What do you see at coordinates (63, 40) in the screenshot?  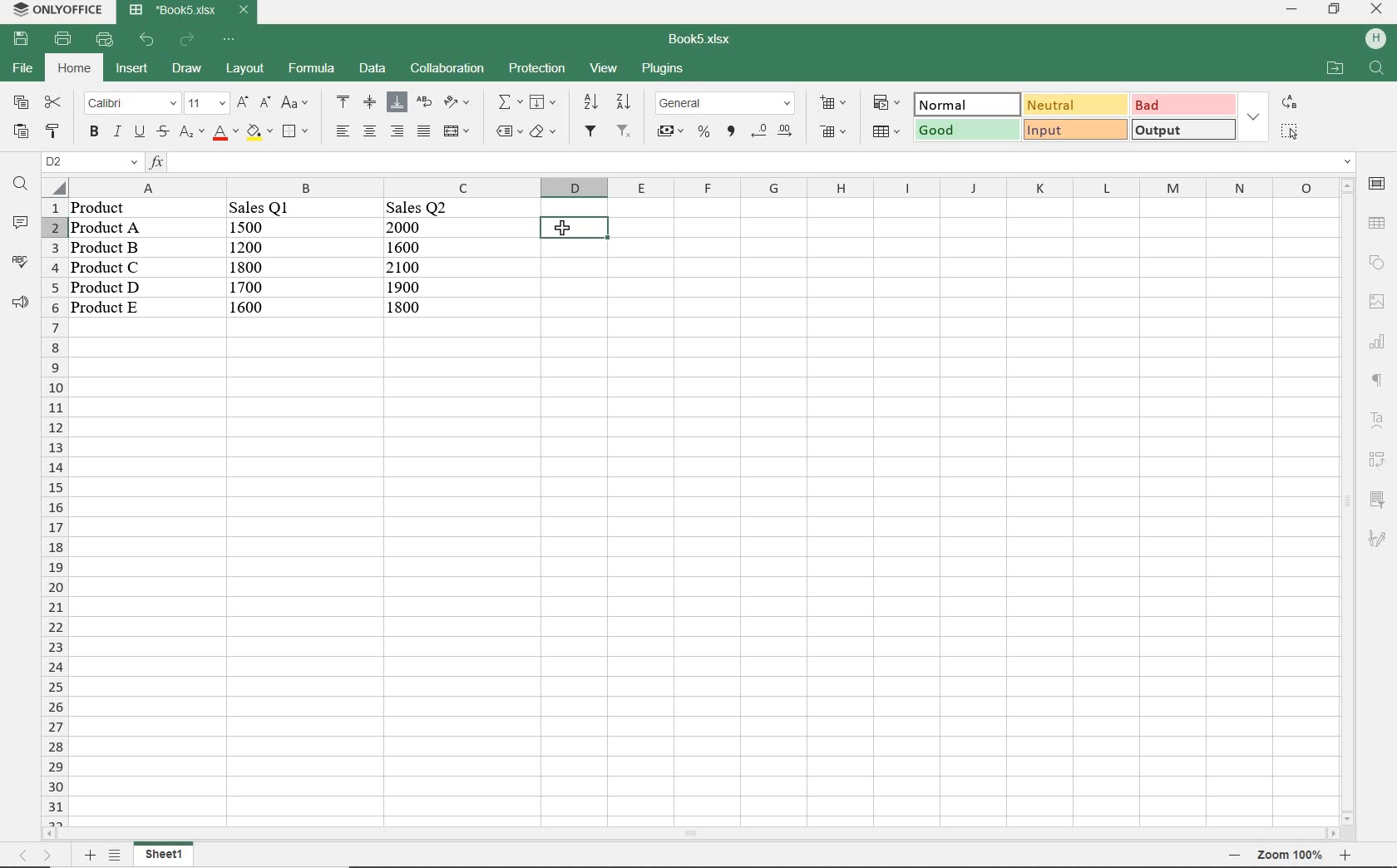 I see `print` at bounding box center [63, 40].